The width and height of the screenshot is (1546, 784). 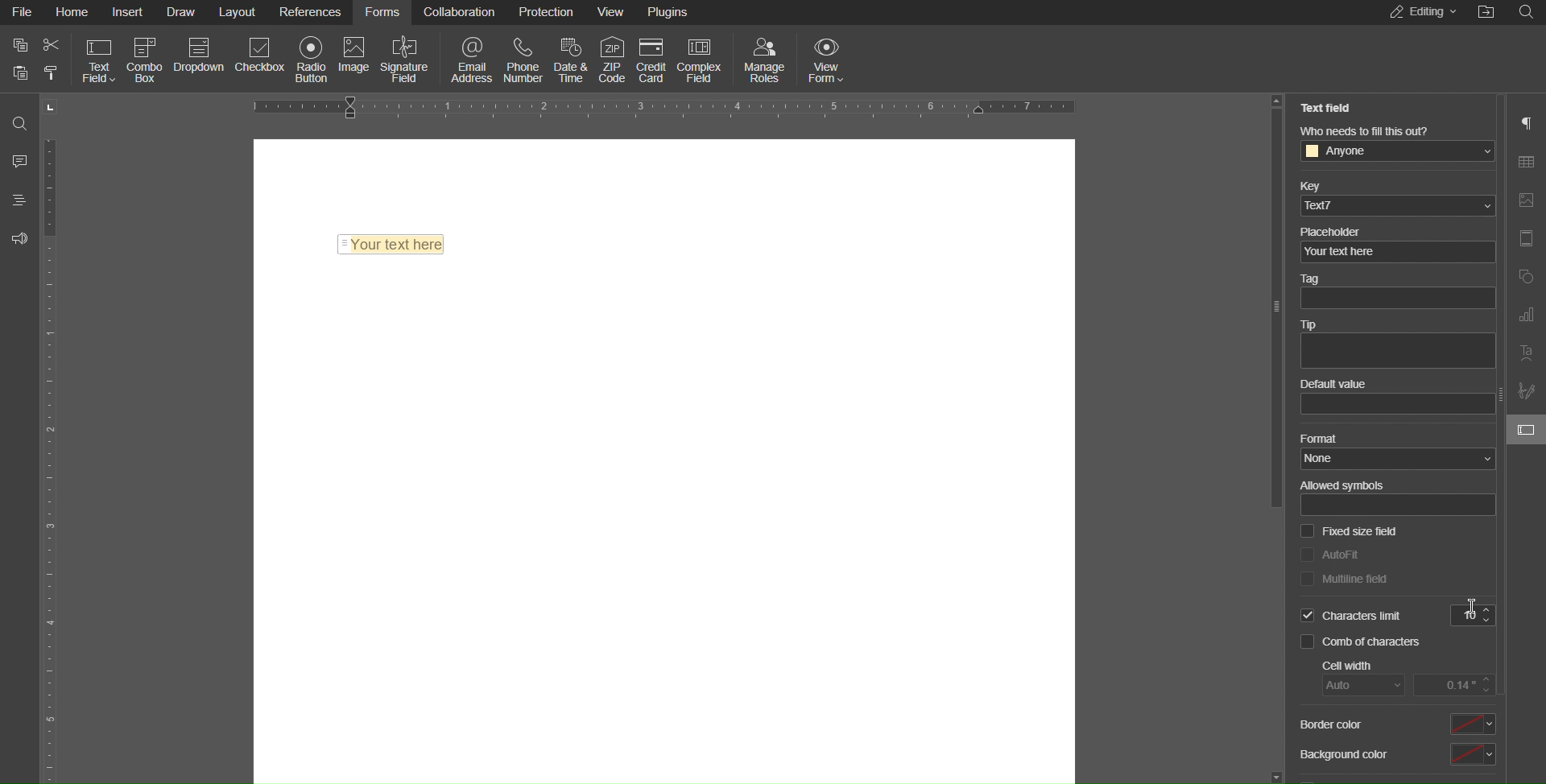 What do you see at coordinates (130, 13) in the screenshot?
I see `Insert` at bounding box center [130, 13].